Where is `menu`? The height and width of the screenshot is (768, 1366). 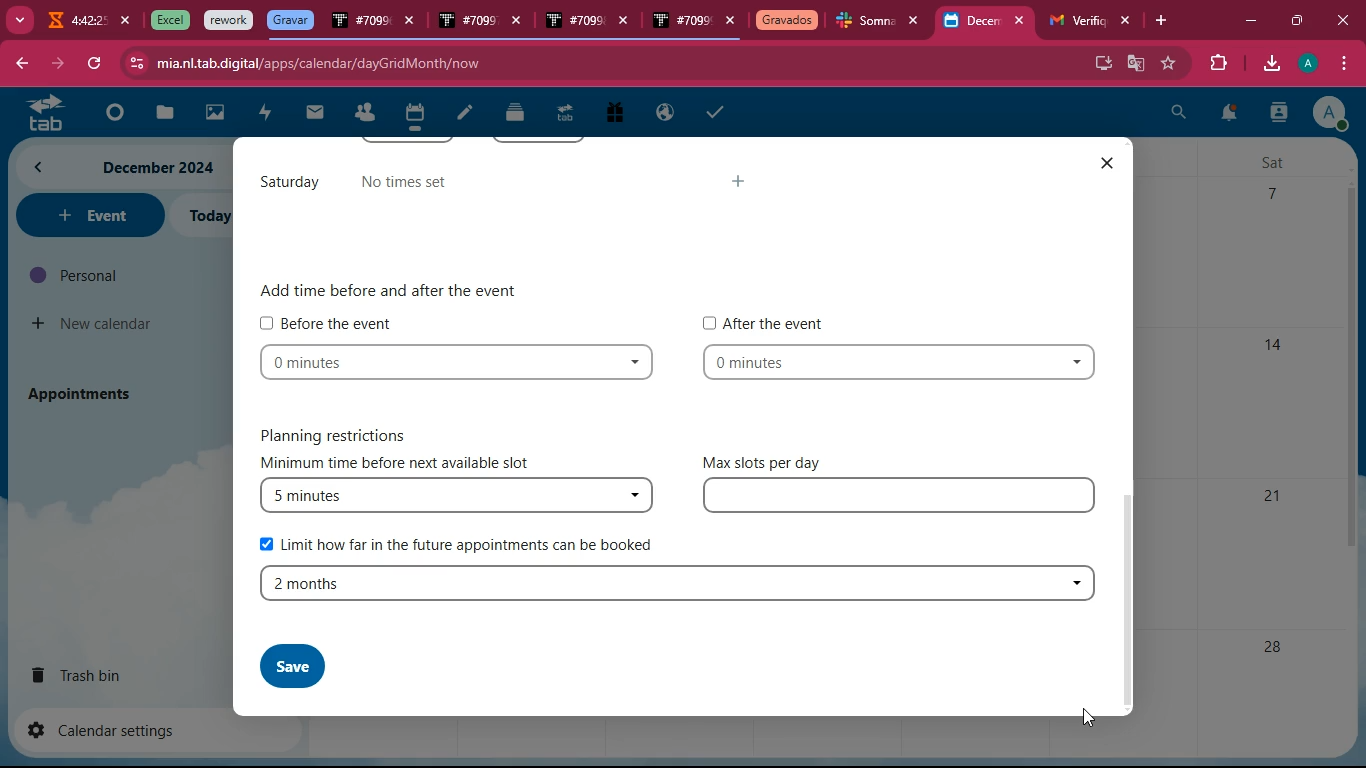 menu is located at coordinates (1341, 64).